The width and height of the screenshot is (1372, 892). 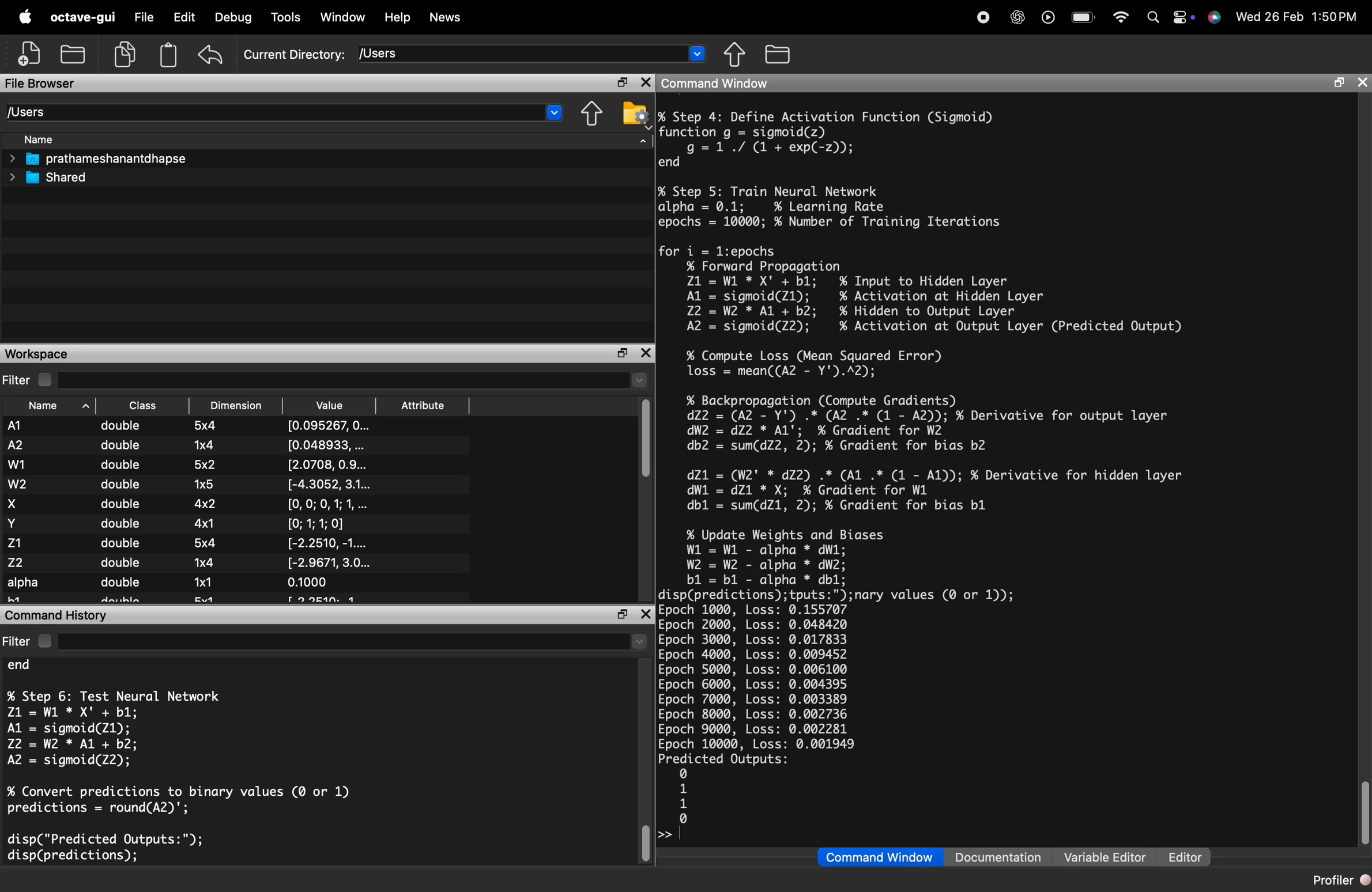 What do you see at coordinates (205, 562) in the screenshot?
I see `1x4` at bounding box center [205, 562].